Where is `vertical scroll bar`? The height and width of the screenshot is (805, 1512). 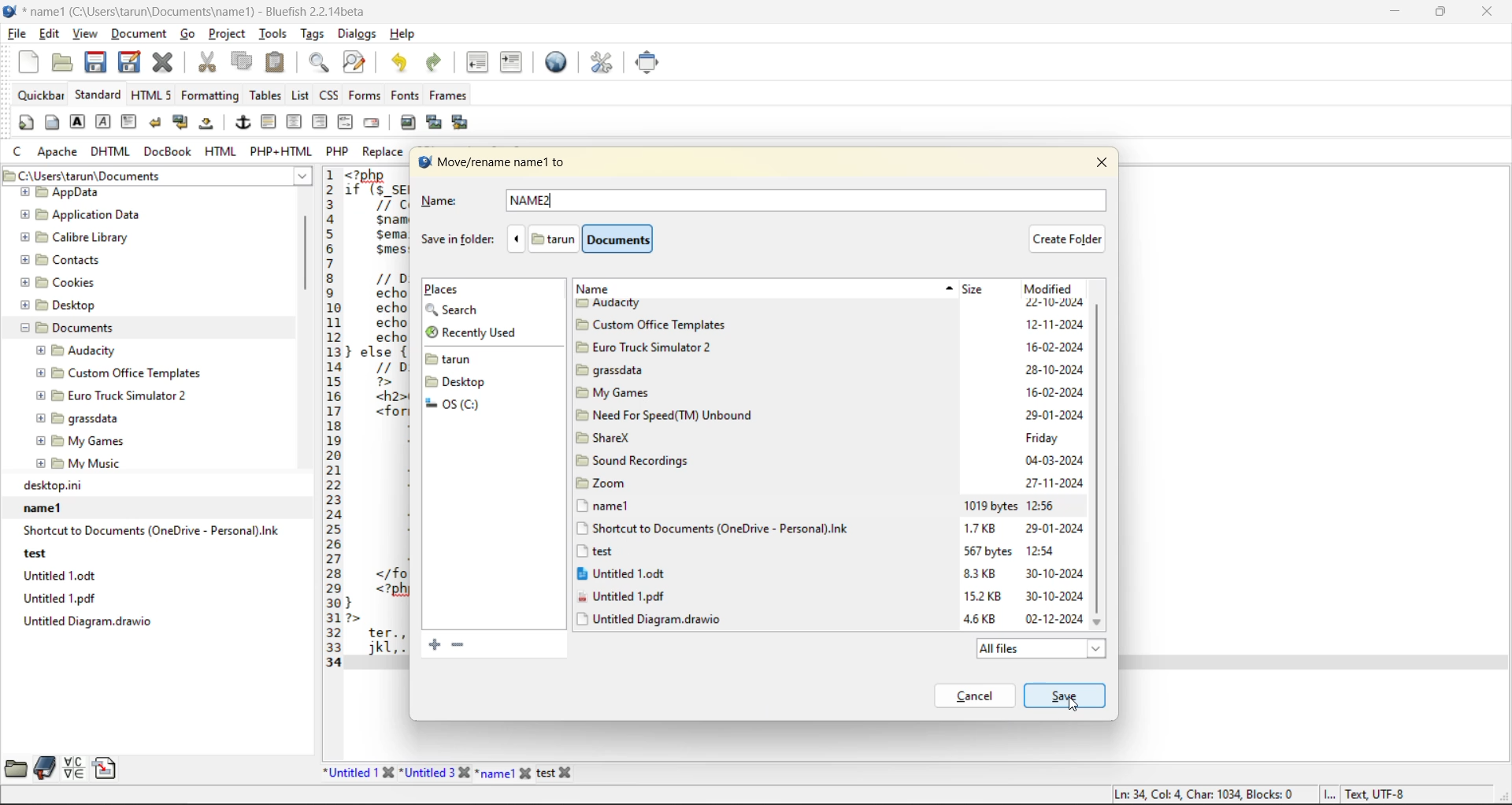
vertical scroll bar is located at coordinates (307, 263).